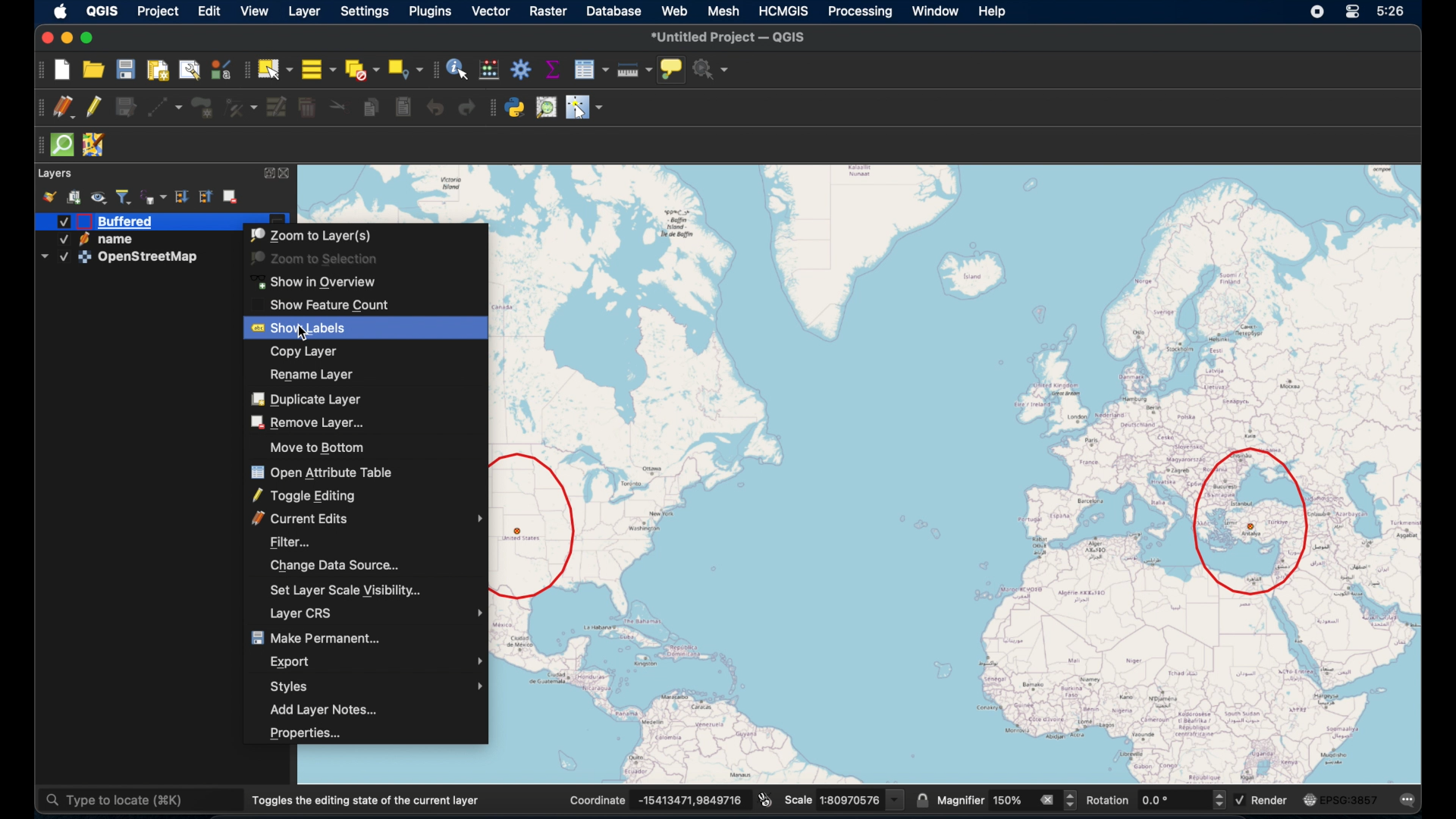 The height and width of the screenshot is (819, 1456). I want to click on lock scale, so click(921, 799).